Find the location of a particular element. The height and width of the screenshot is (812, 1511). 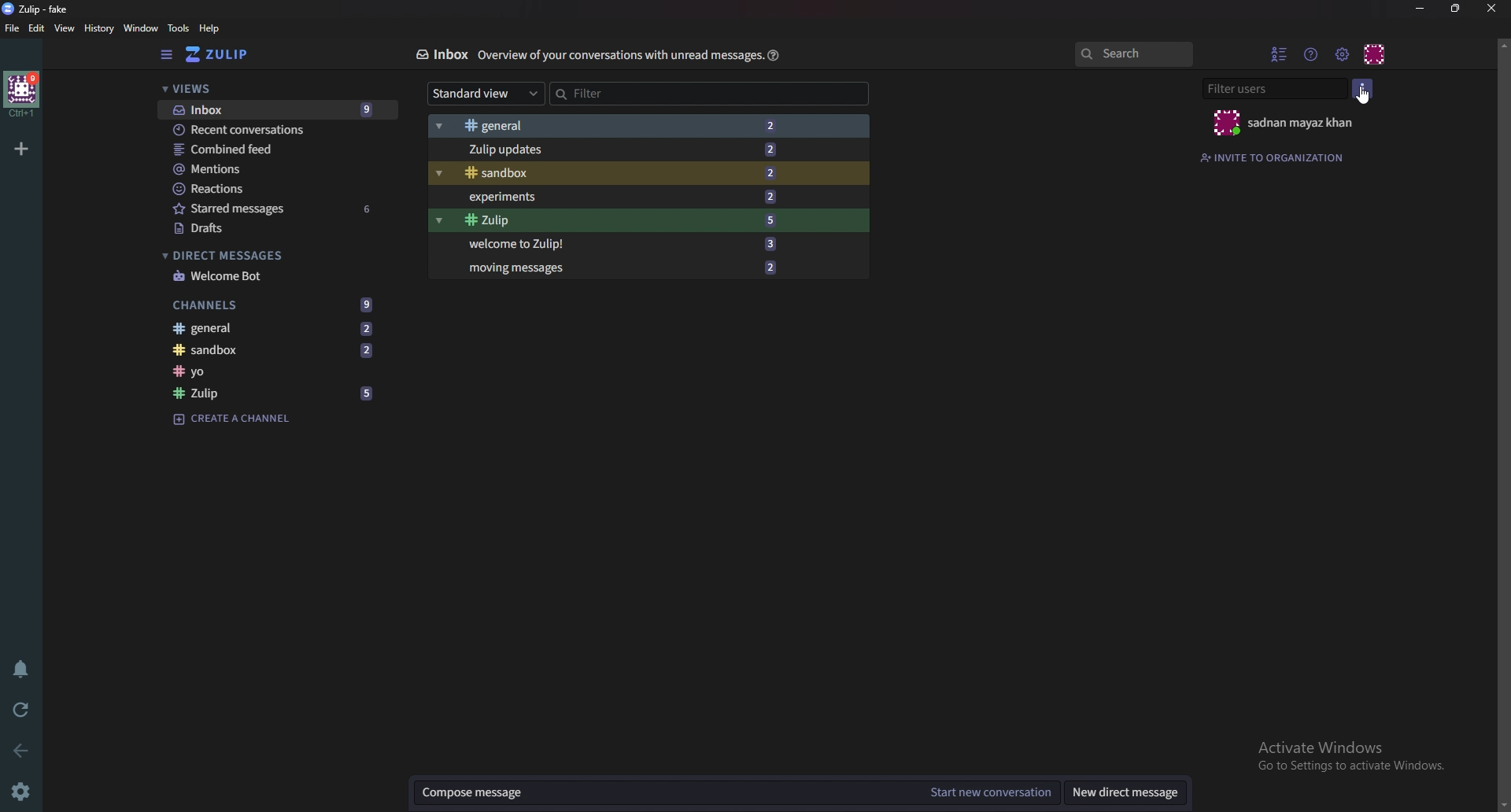

User list style is located at coordinates (1365, 88).